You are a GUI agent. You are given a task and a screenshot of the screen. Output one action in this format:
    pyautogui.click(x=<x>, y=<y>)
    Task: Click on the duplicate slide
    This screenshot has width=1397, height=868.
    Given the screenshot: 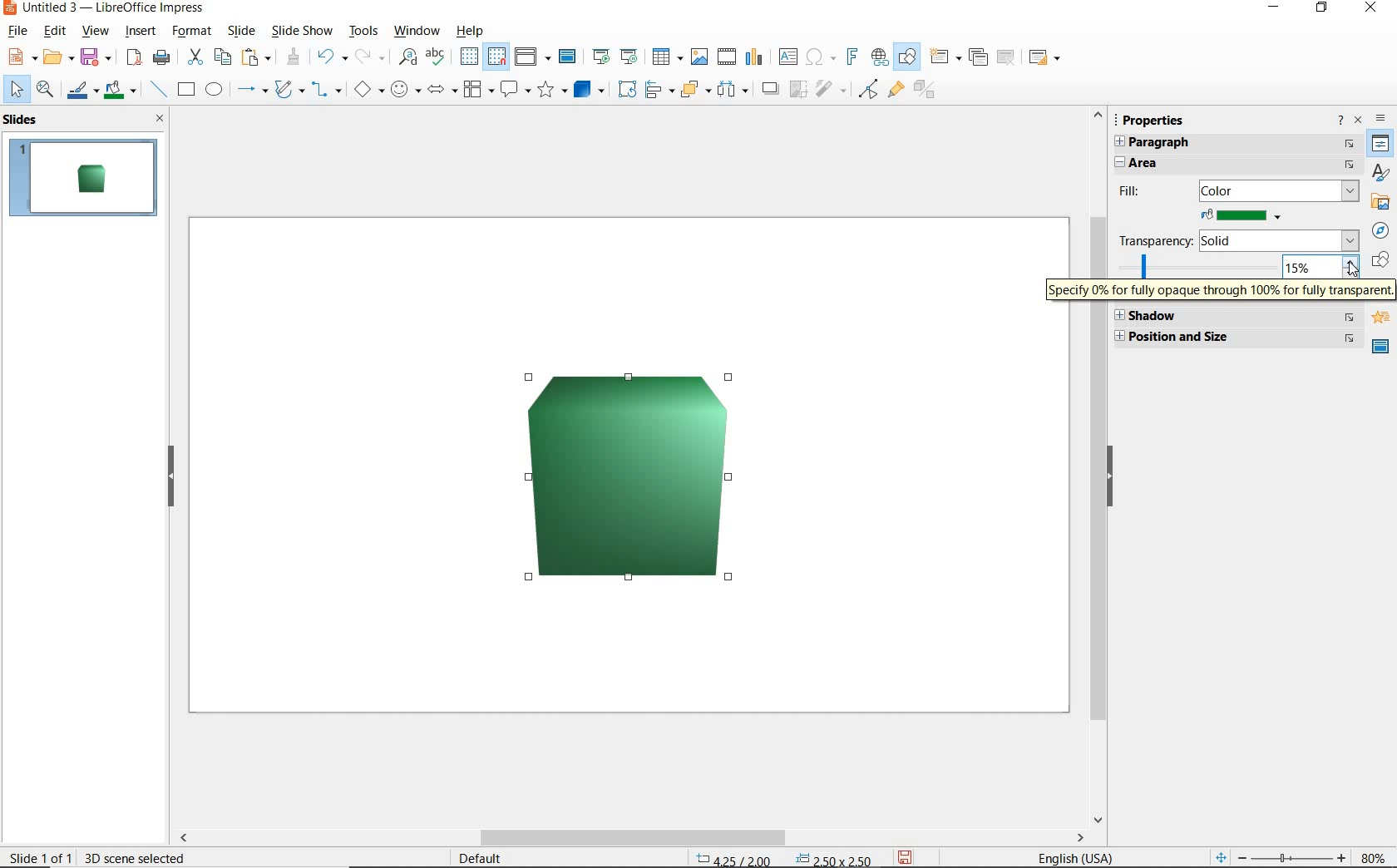 What is the action you would take?
    pyautogui.click(x=978, y=55)
    